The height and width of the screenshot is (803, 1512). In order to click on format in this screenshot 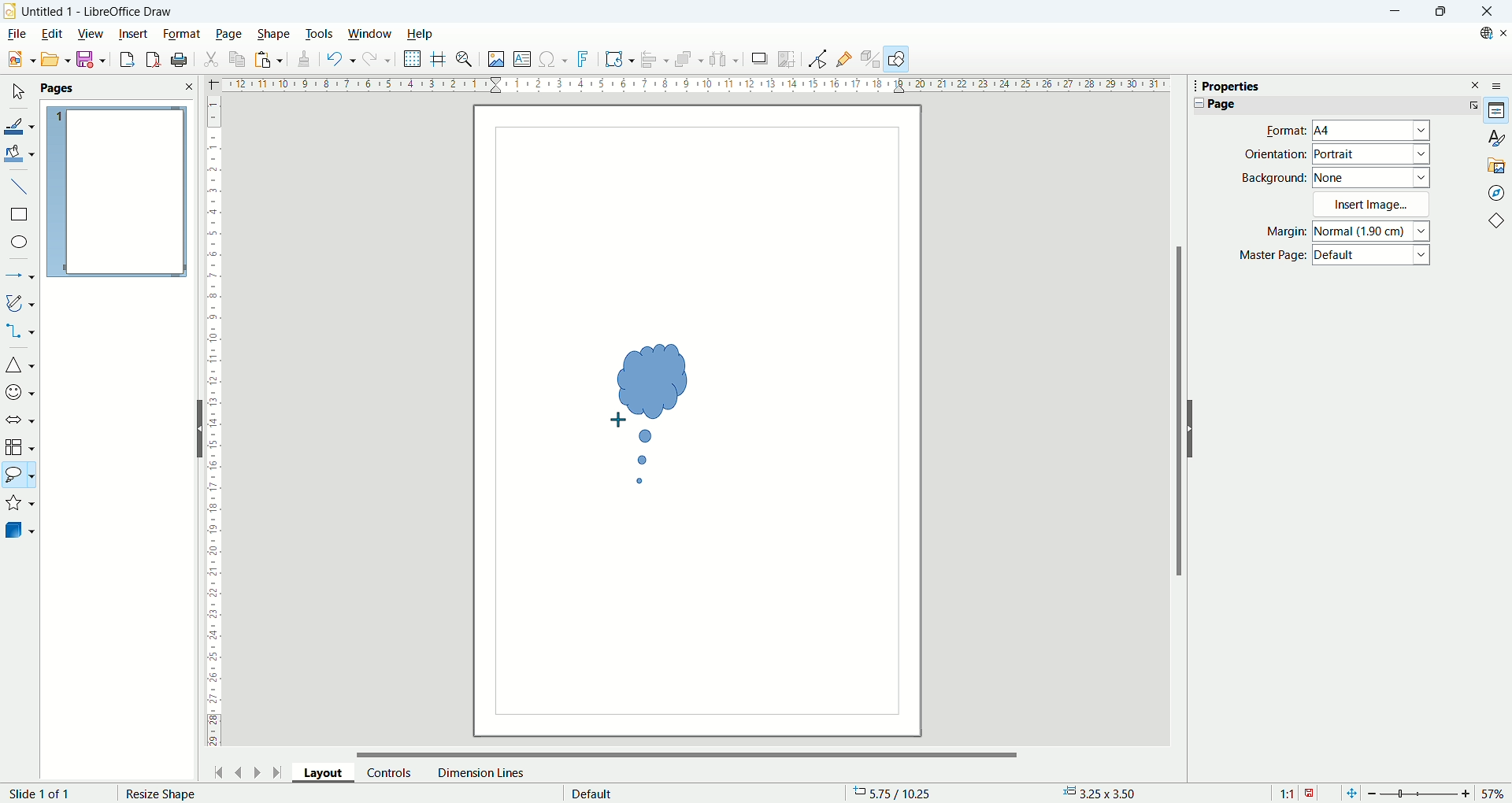, I will do `click(182, 33)`.